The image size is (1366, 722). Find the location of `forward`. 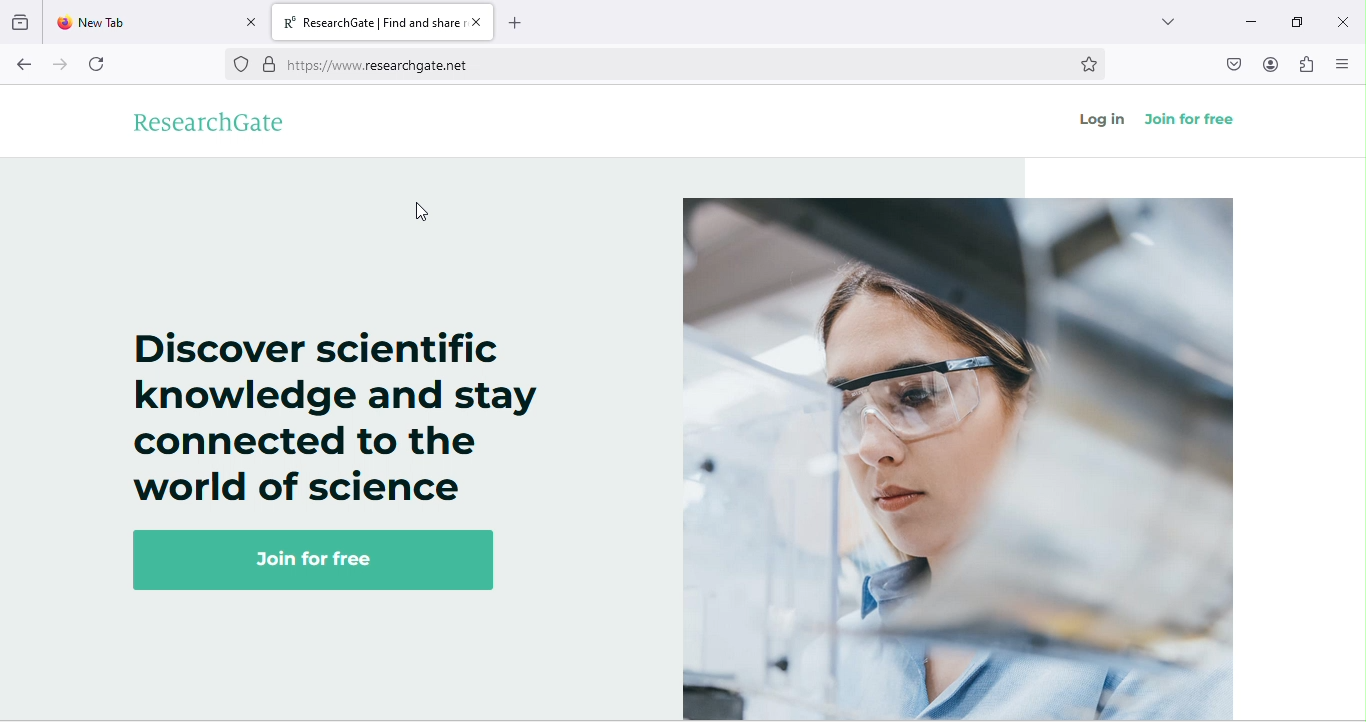

forward is located at coordinates (65, 62).